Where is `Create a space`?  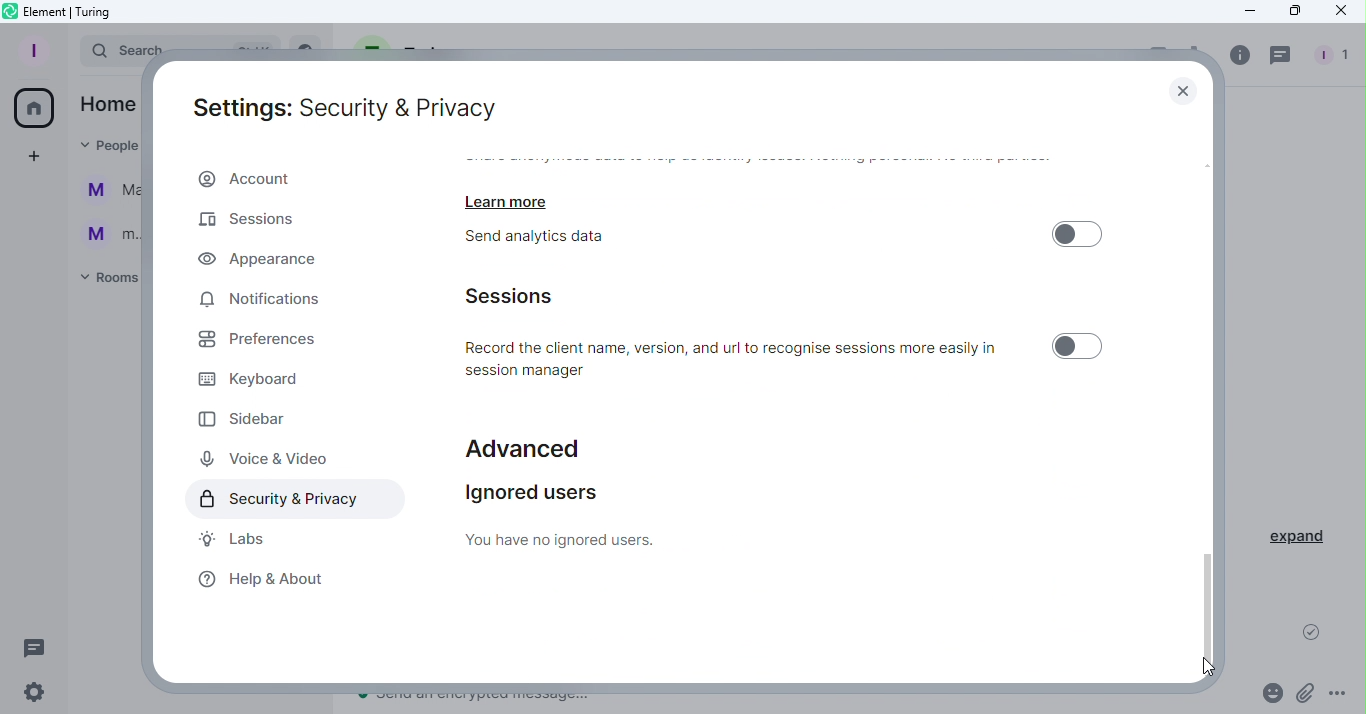 Create a space is located at coordinates (33, 157).